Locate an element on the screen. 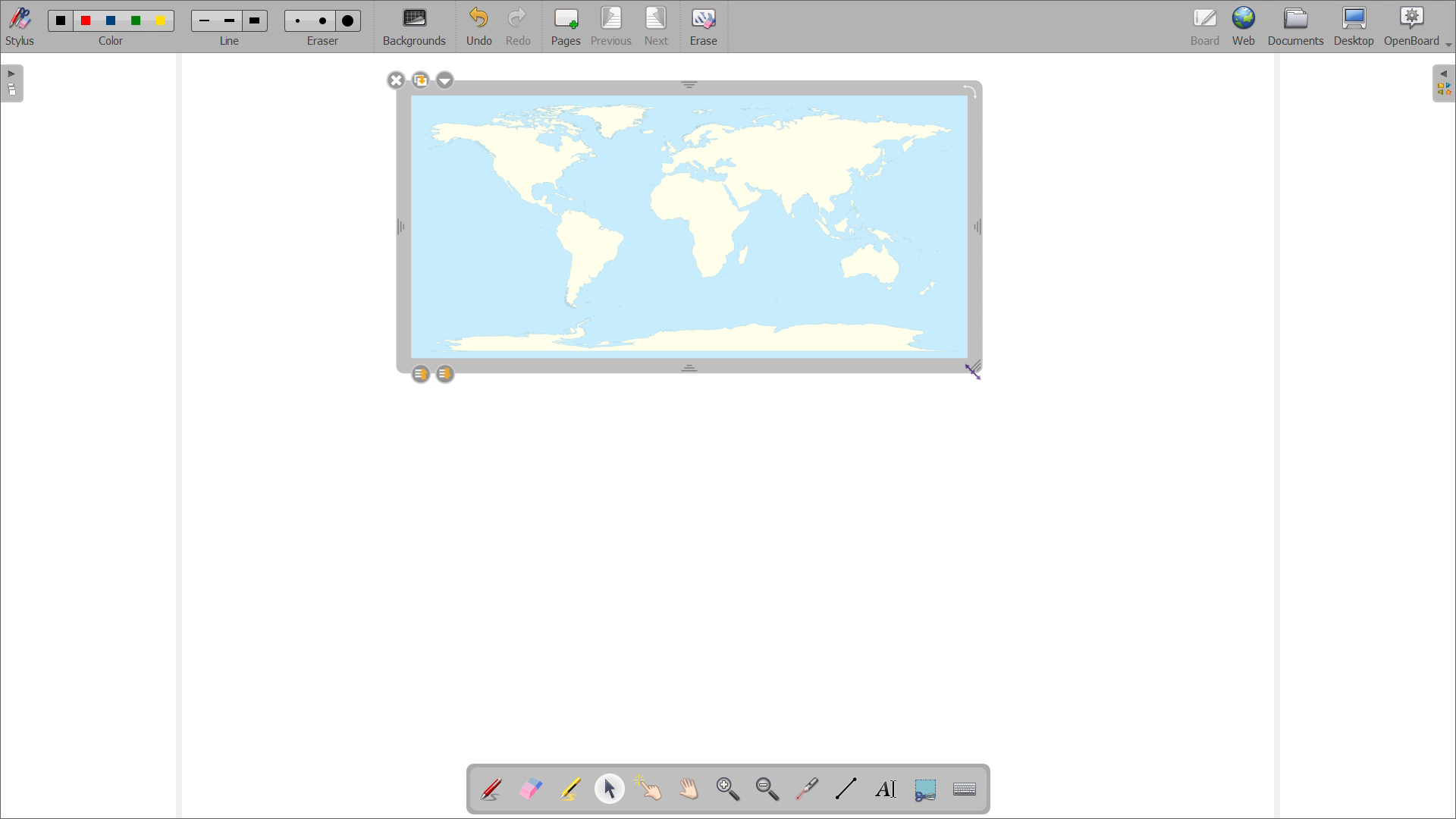 The height and width of the screenshot is (819, 1456). blue is located at coordinates (112, 20).